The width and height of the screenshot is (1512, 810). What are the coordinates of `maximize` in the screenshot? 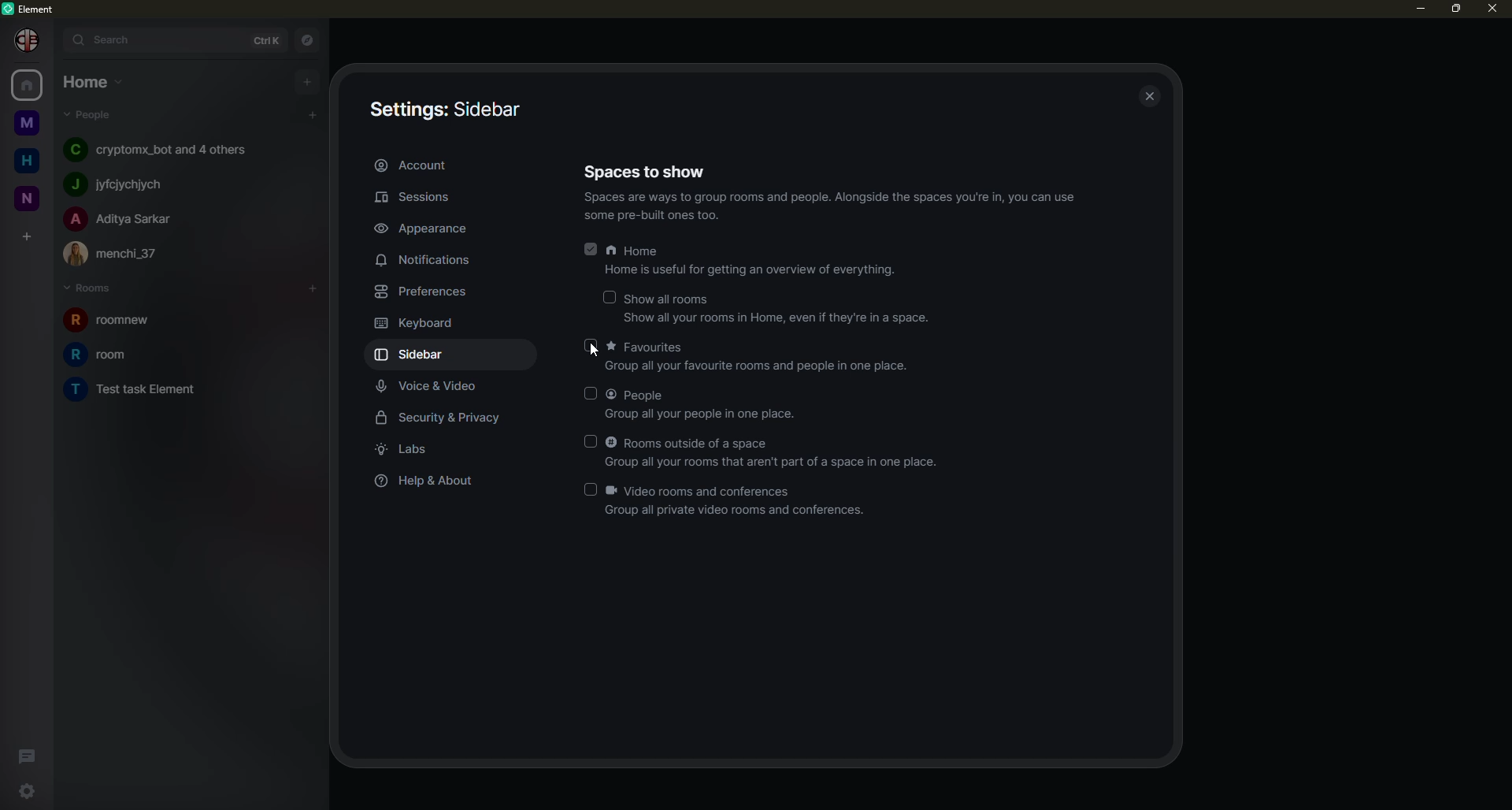 It's located at (1455, 9).